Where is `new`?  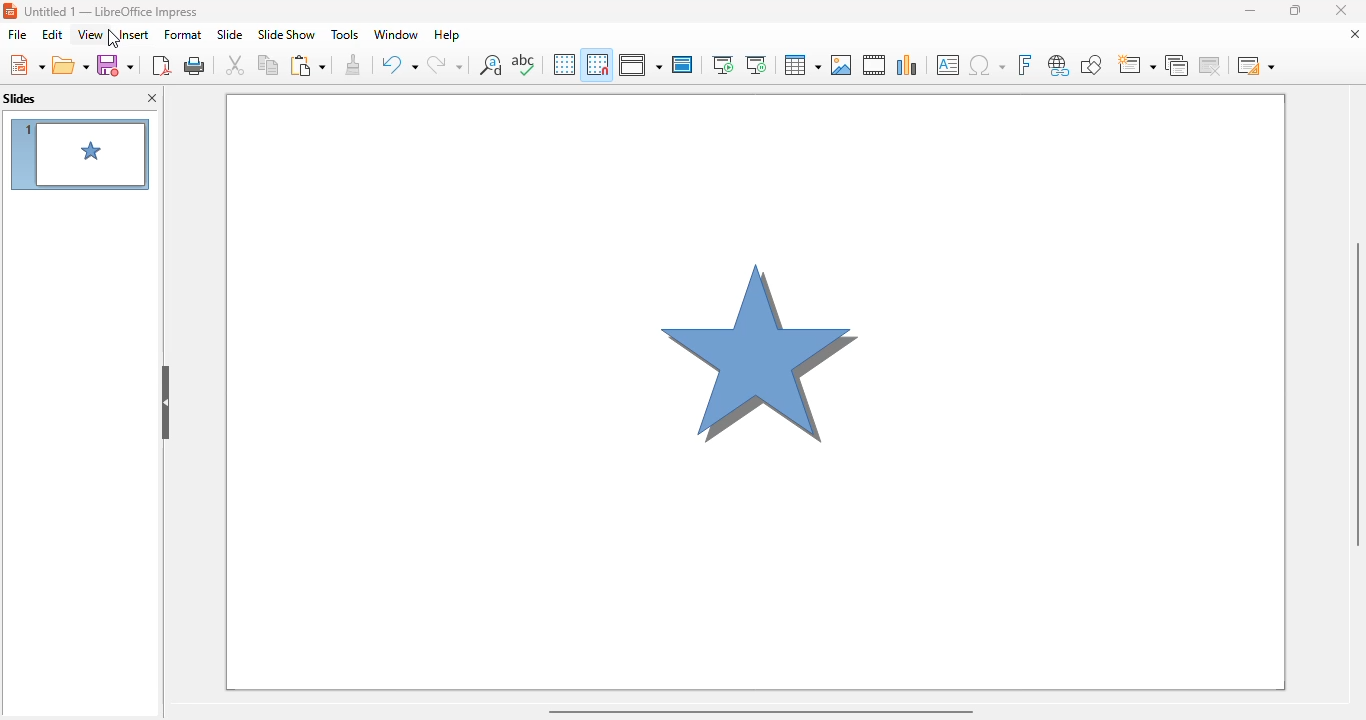 new is located at coordinates (25, 64).